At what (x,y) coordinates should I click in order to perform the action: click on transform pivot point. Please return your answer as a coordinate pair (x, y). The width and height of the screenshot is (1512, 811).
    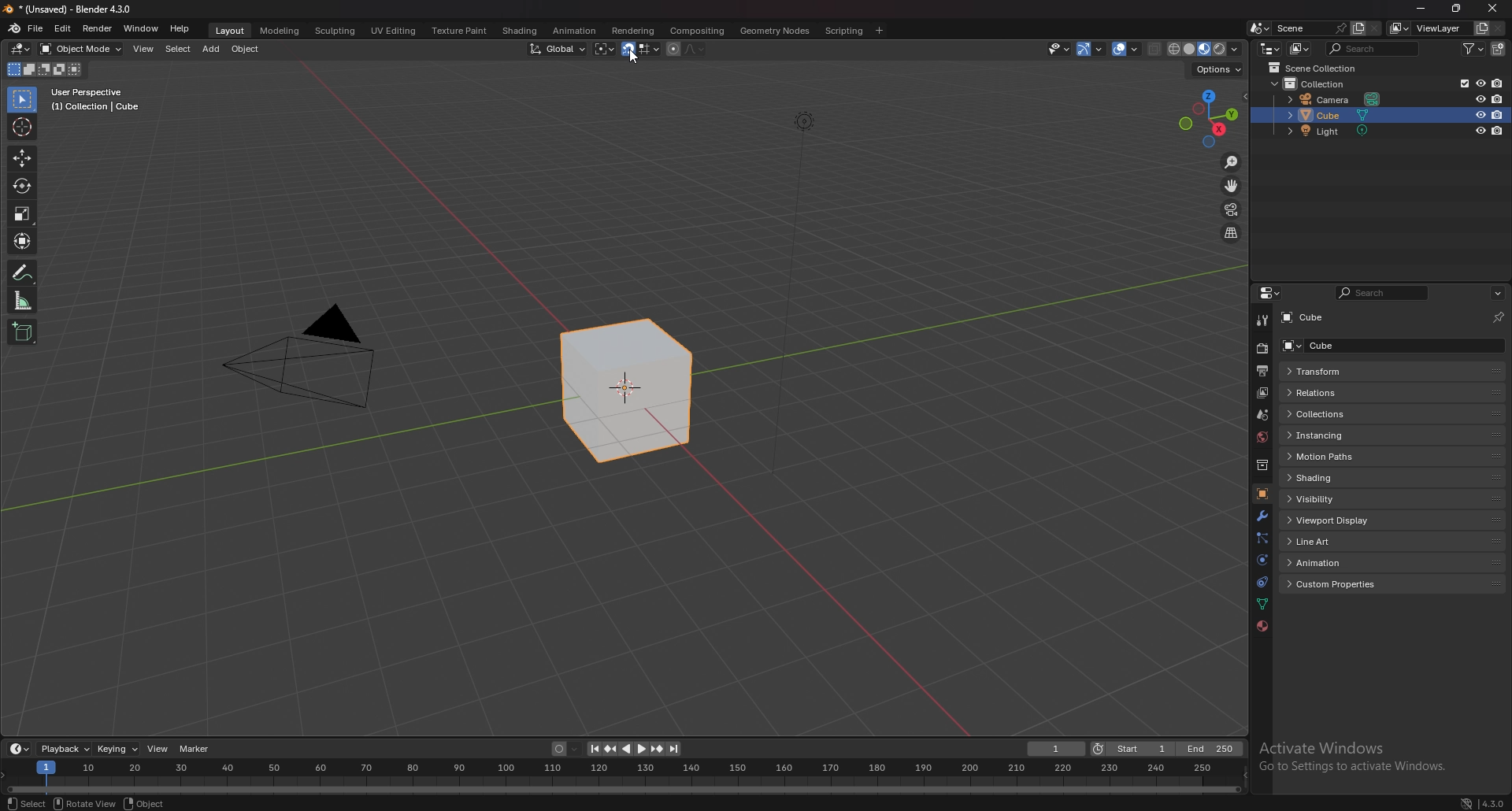
    Looking at the image, I should click on (604, 49).